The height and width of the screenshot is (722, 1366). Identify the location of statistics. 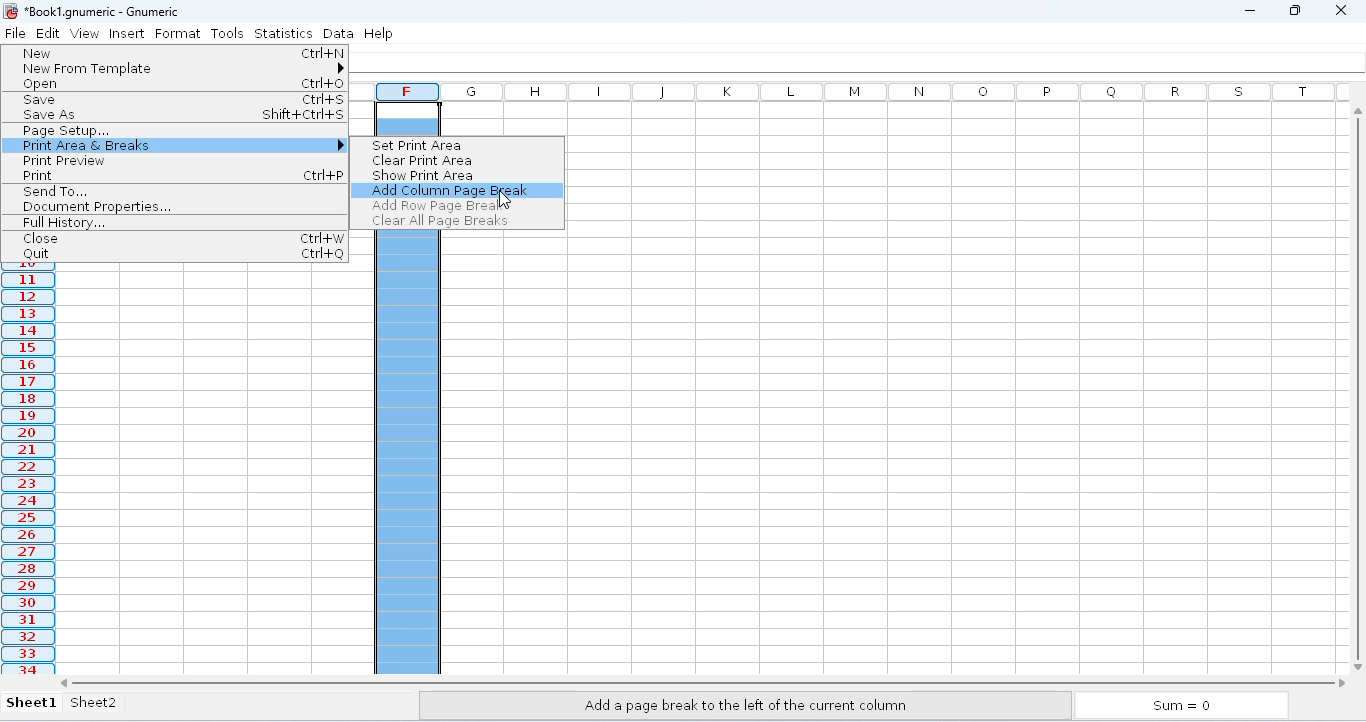
(284, 32).